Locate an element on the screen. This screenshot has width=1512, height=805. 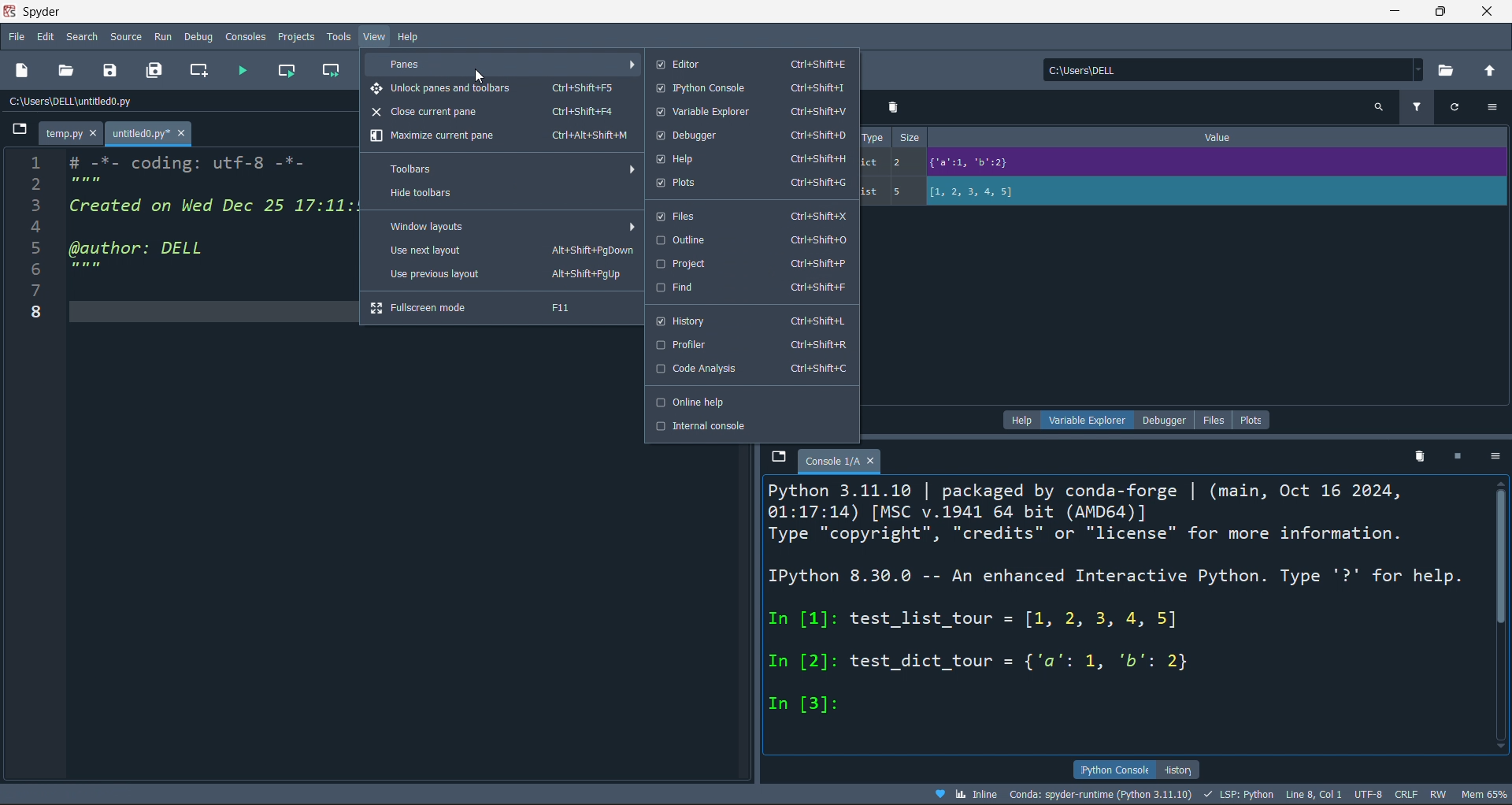
plots is located at coordinates (751, 184).